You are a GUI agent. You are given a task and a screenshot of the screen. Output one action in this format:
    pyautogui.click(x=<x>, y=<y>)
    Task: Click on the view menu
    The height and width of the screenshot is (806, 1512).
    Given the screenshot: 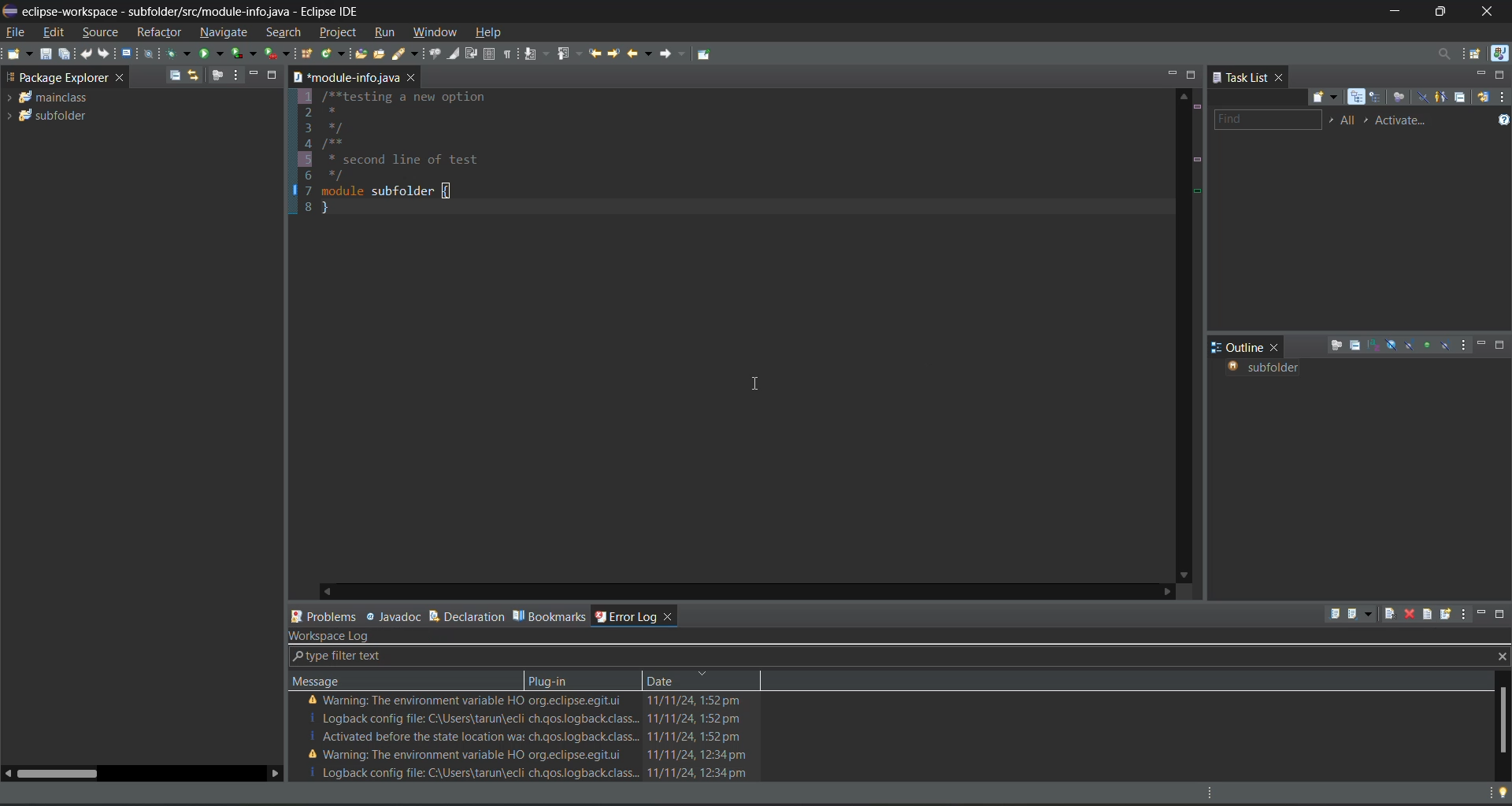 What is the action you would take?
    pyautogui.click(x=1467, y=346)
    